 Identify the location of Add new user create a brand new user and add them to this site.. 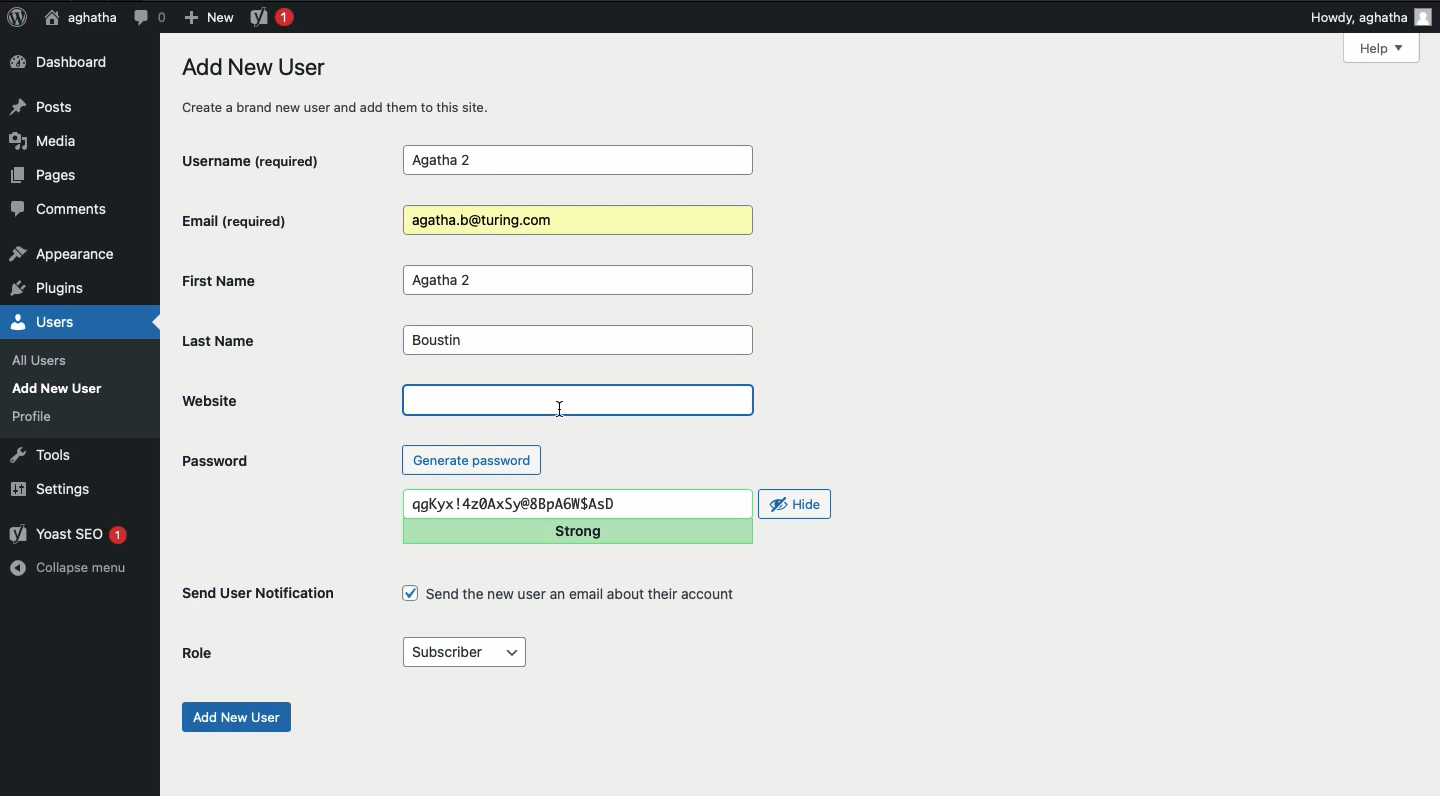
(347, 86).